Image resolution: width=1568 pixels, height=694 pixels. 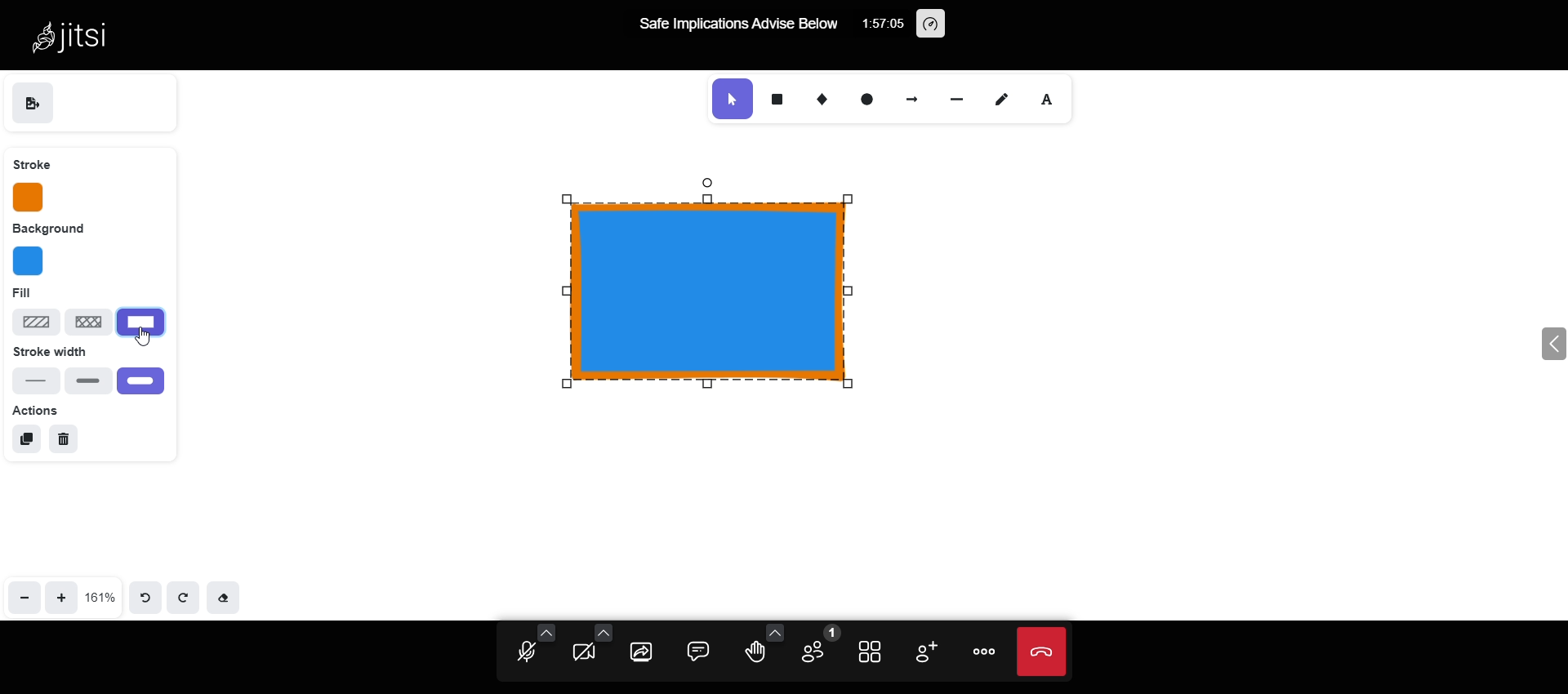 What do you see at coordinates (143, 320) in the screenshot?
I see `solid fill` at bounding box center [143, 320].